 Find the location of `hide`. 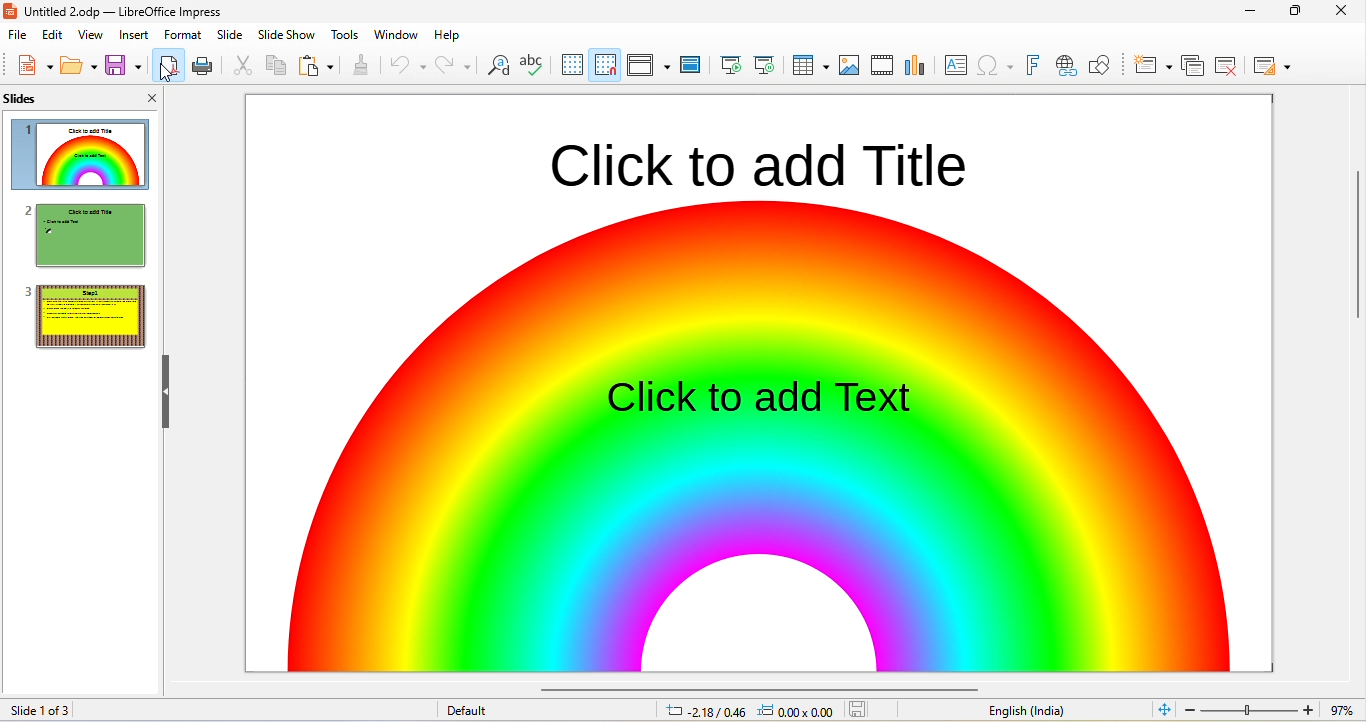

hide is located at coordinates (162, 391).